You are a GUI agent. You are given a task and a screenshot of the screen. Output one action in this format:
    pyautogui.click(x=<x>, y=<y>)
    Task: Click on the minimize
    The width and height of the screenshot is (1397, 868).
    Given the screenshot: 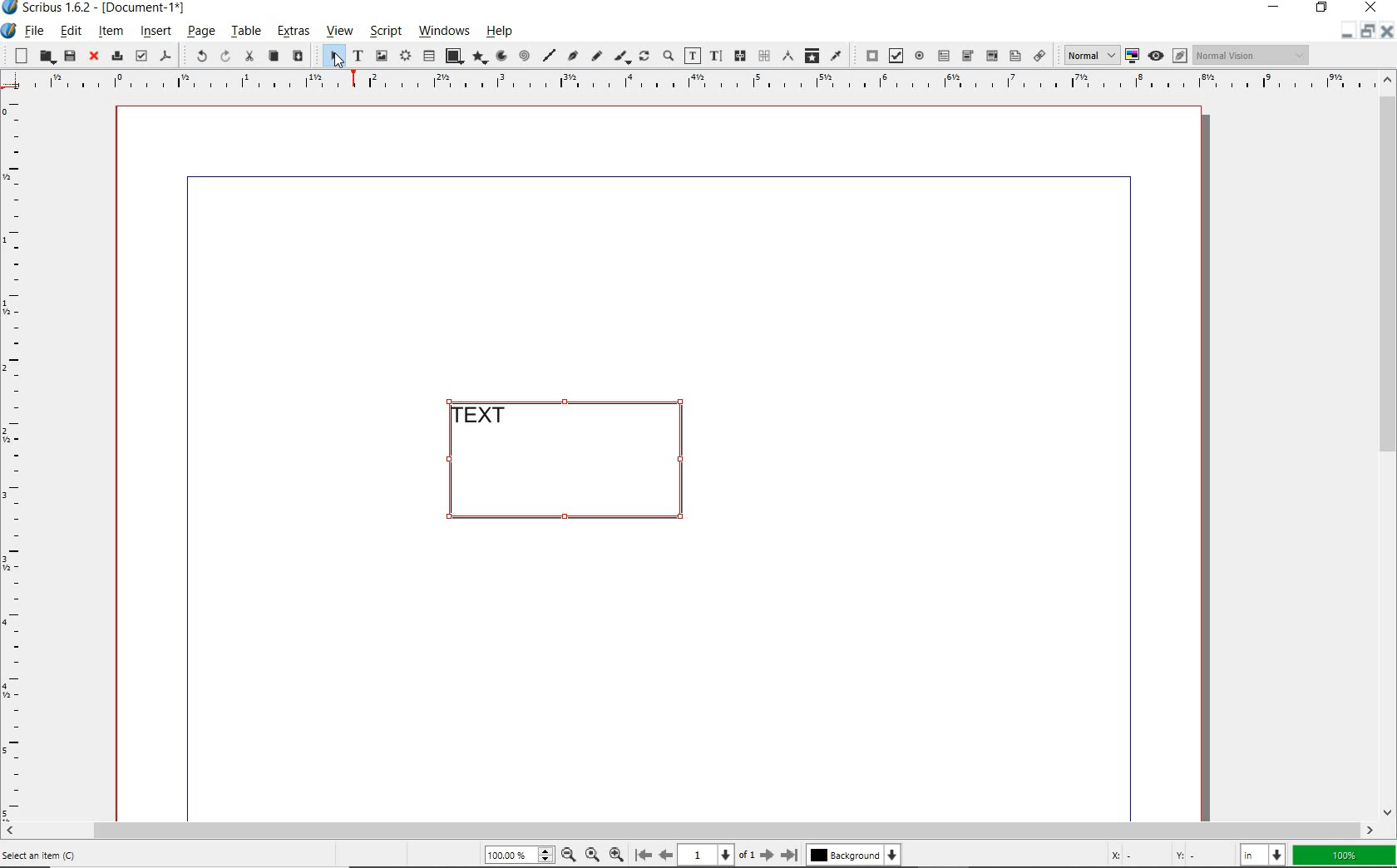 What is the action you would take?
    pyautogui.click(x=1365, y=32)
    